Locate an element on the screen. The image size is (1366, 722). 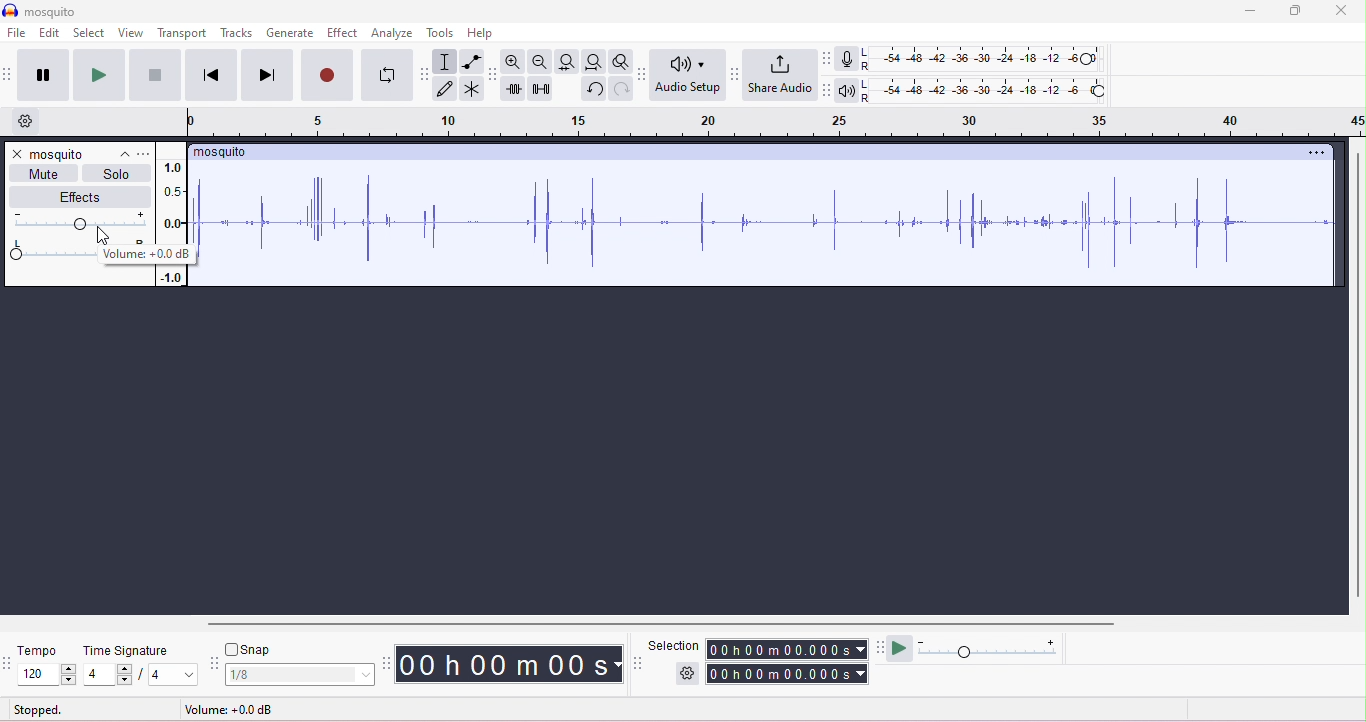
selection options is located at coordinates (687, 673).